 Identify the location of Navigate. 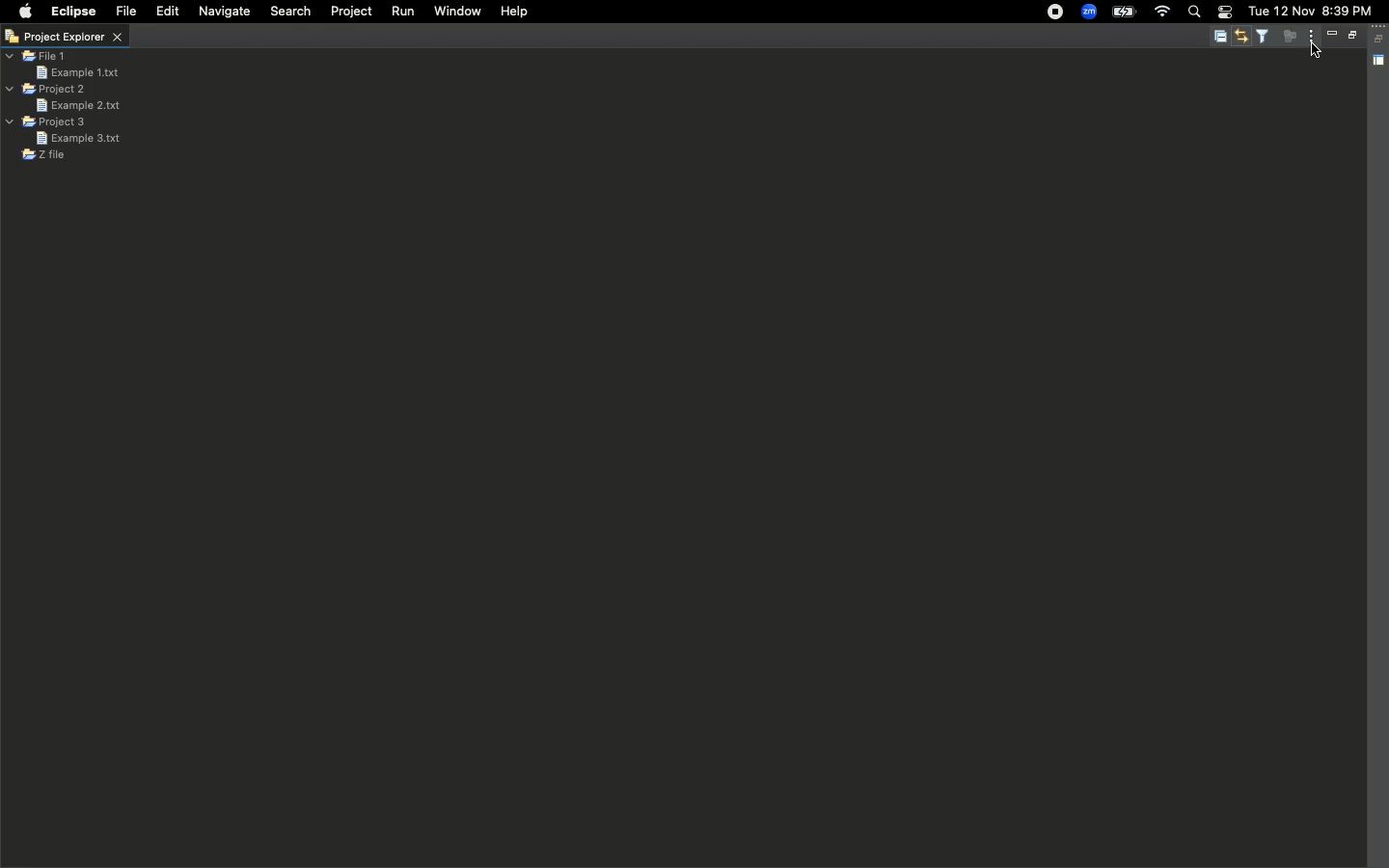
(224, 12).